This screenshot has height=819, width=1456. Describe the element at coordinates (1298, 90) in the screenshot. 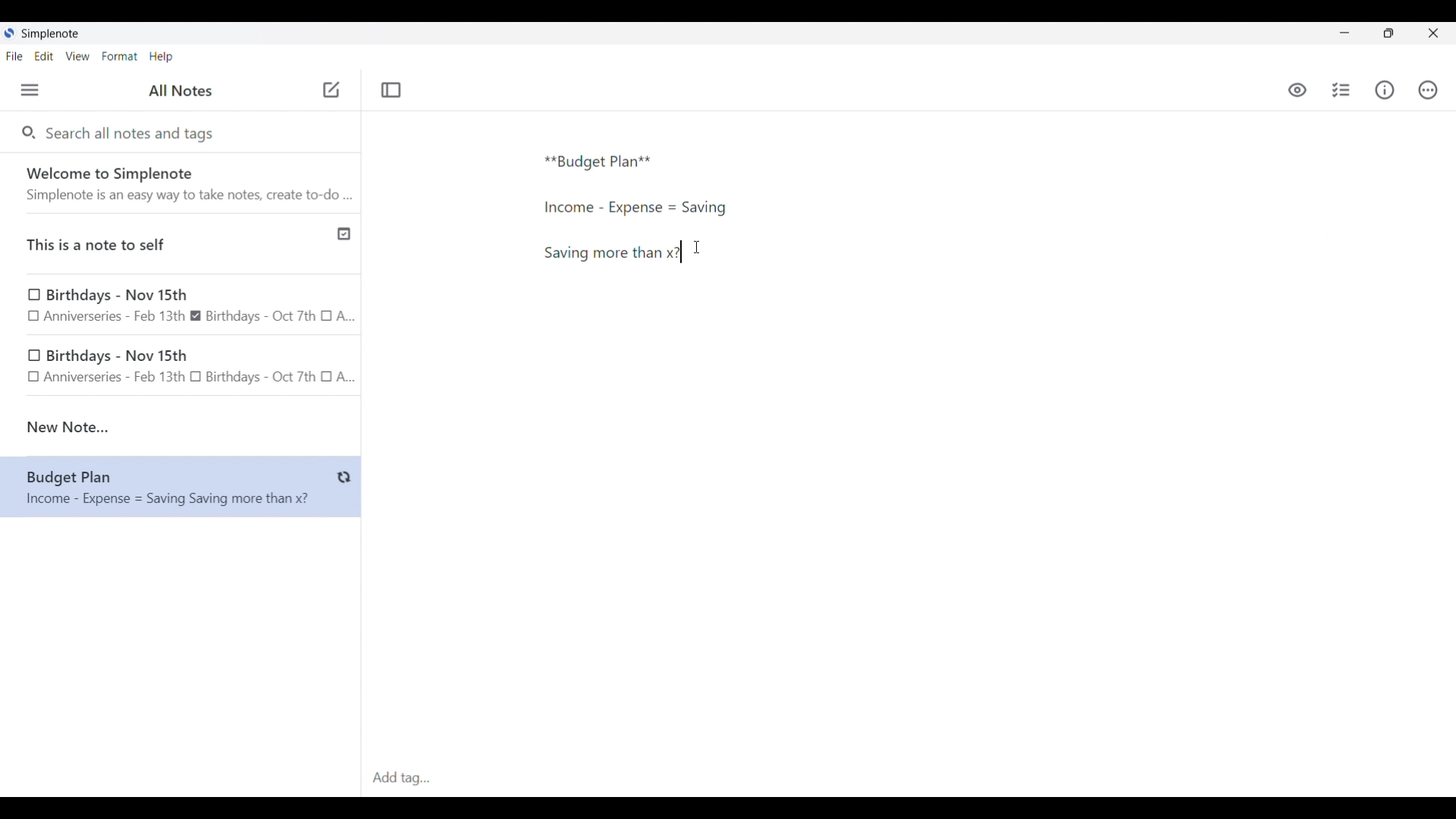

I see `Toggle to see markdown preview` at that location.